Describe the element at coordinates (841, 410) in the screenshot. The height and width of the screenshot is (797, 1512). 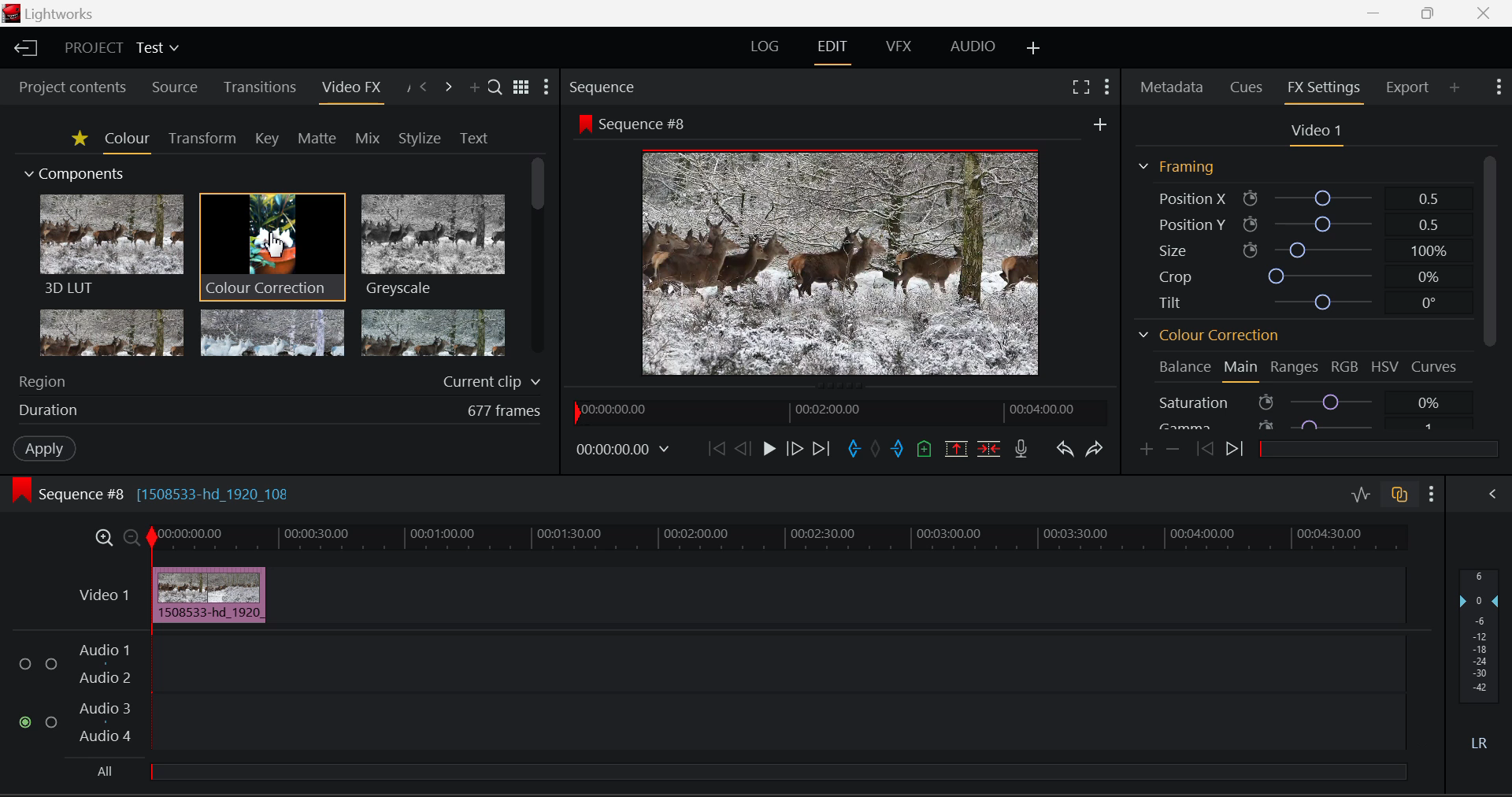
I see `Project Timeline Navigator` at that location.